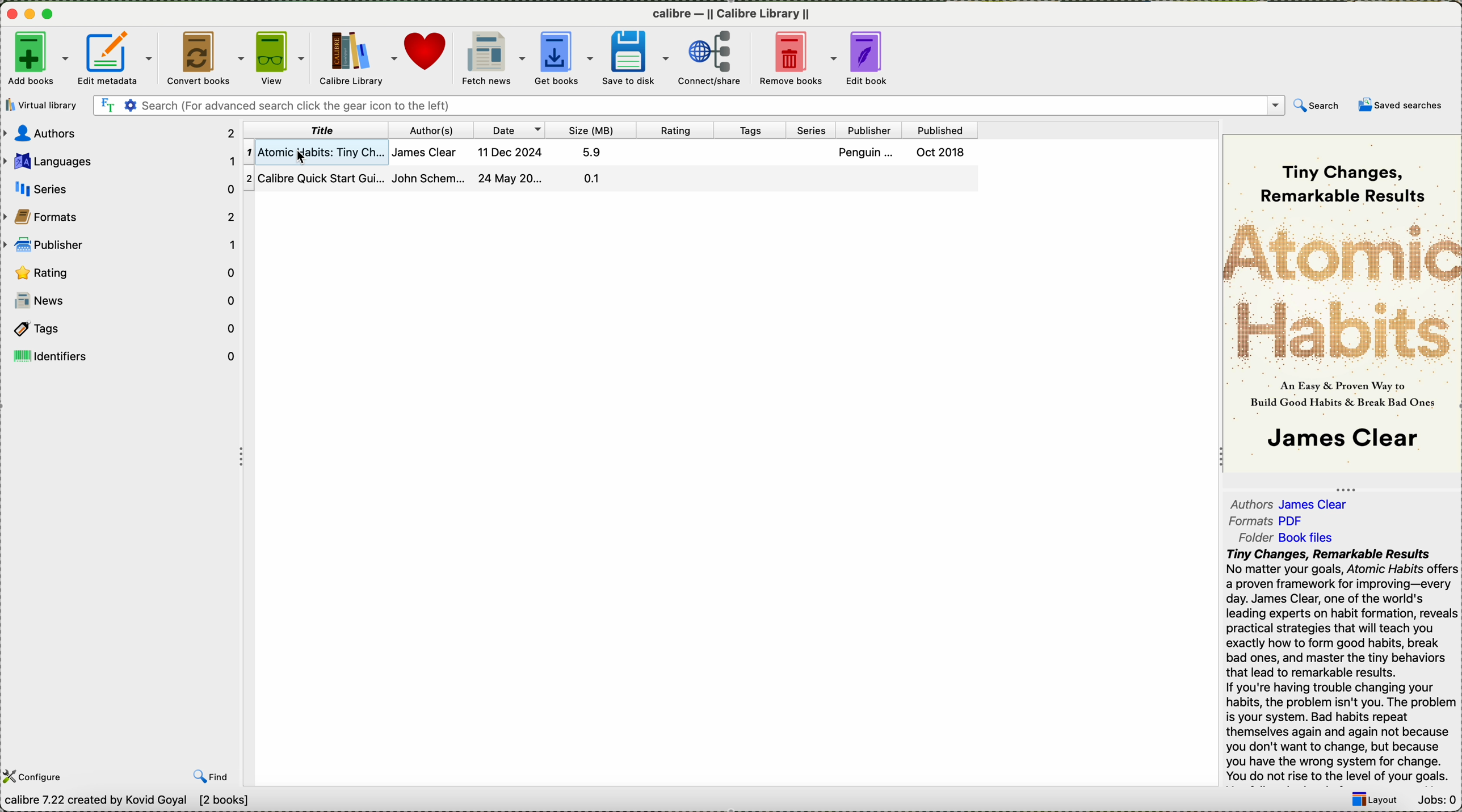 The width and height of the screenshot is (1462, 812). Describe the element at coordinates (213, 777) in the screenshot. I see `find` at that location.